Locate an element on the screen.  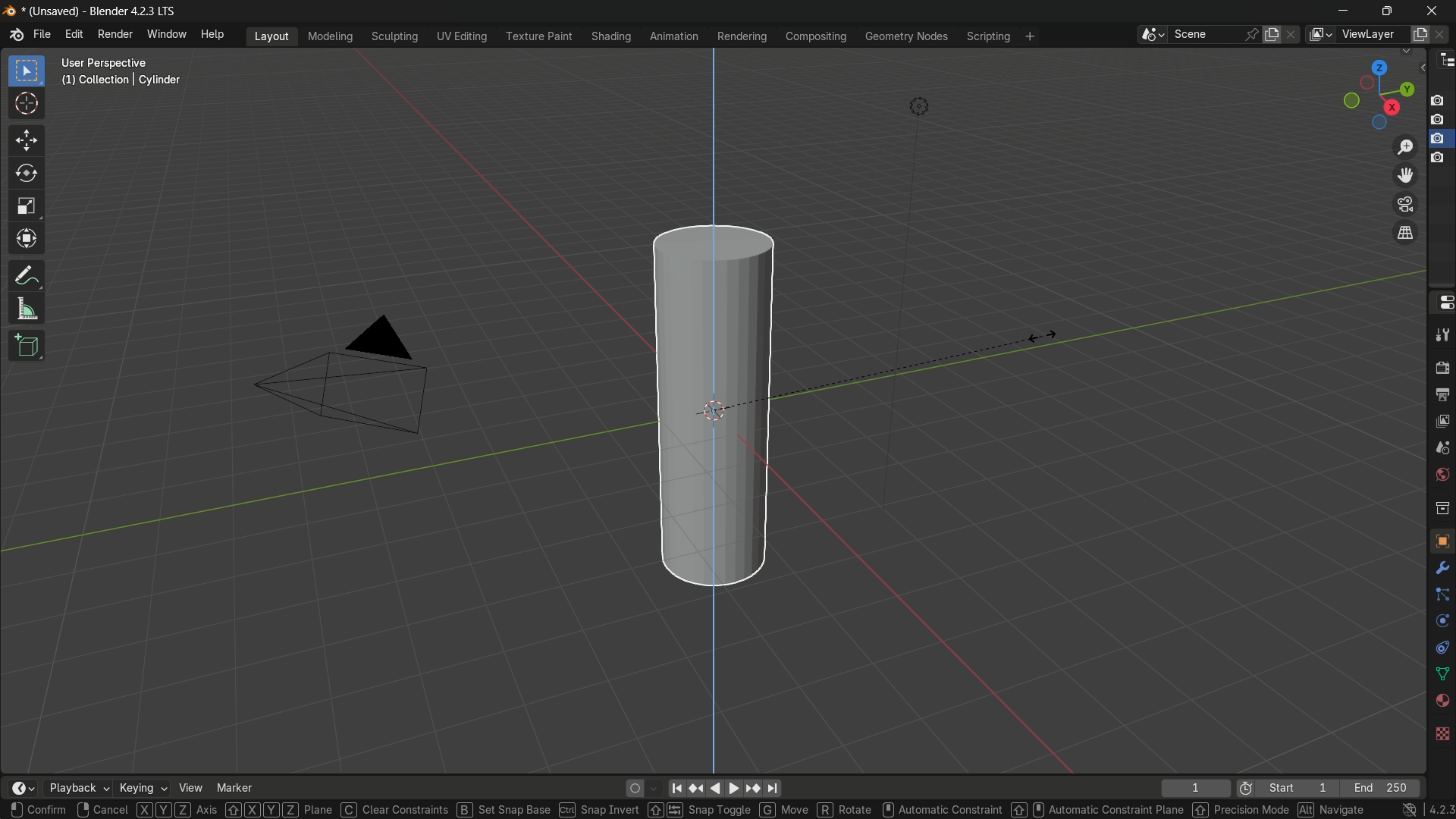
file menu is located at coordinates (42, 35).